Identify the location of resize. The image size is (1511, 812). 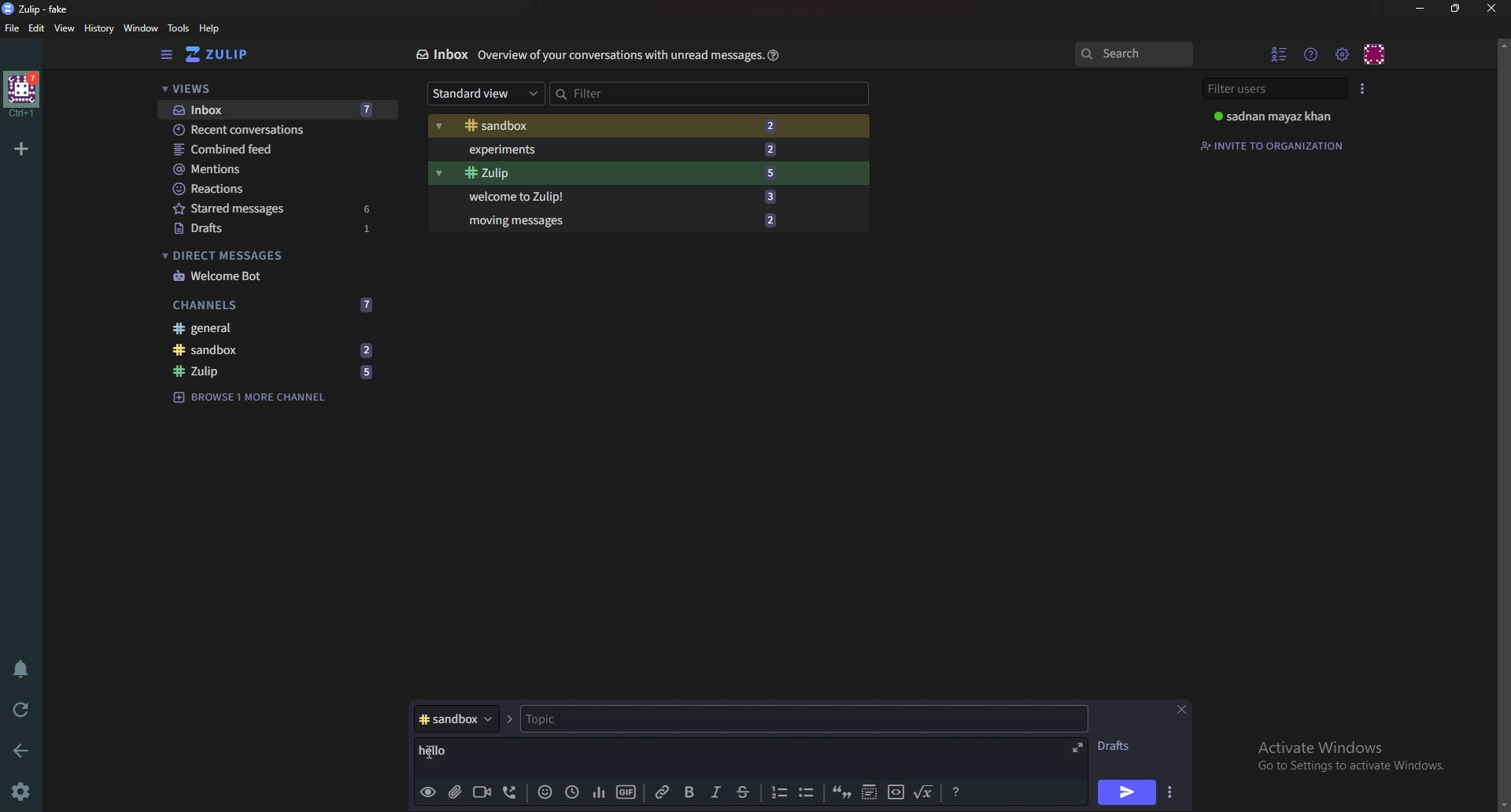
(1454, 9).